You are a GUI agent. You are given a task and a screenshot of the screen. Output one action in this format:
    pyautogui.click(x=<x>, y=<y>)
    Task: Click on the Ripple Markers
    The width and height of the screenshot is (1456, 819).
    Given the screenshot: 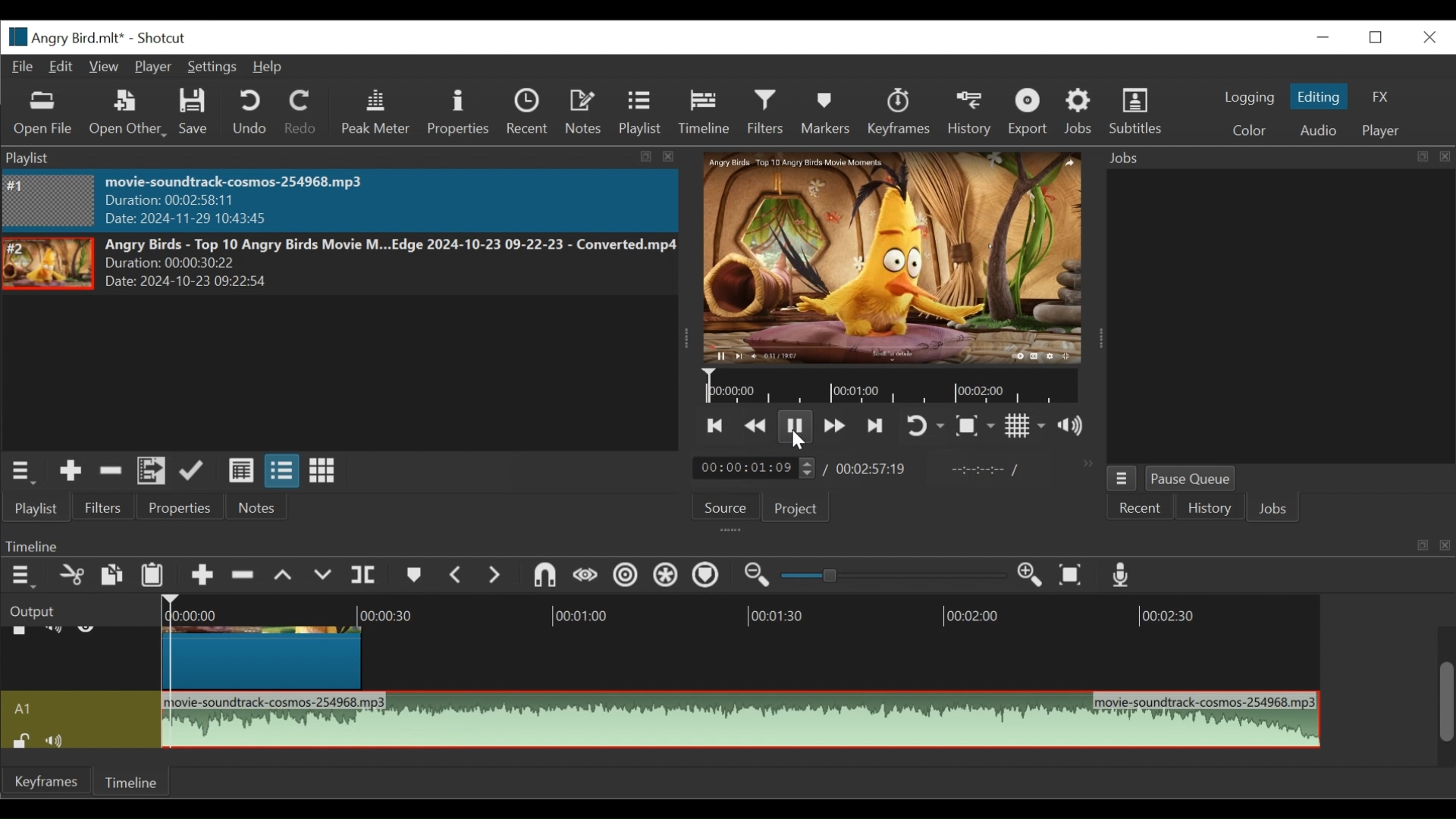 What is the action you would take?
    pyautogui.click(x=706, y=578)
    